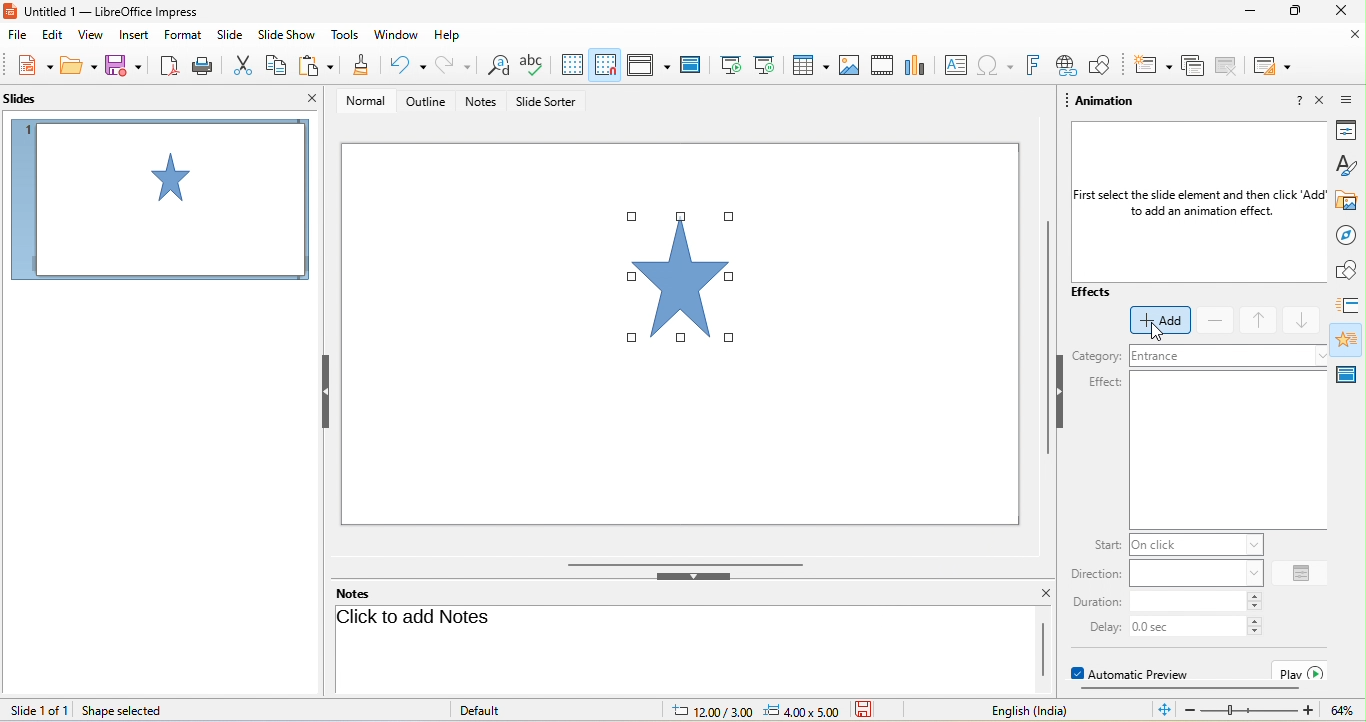 The image size is (1366, 722). I want to click on duplicate slide, so click(1226, 67).